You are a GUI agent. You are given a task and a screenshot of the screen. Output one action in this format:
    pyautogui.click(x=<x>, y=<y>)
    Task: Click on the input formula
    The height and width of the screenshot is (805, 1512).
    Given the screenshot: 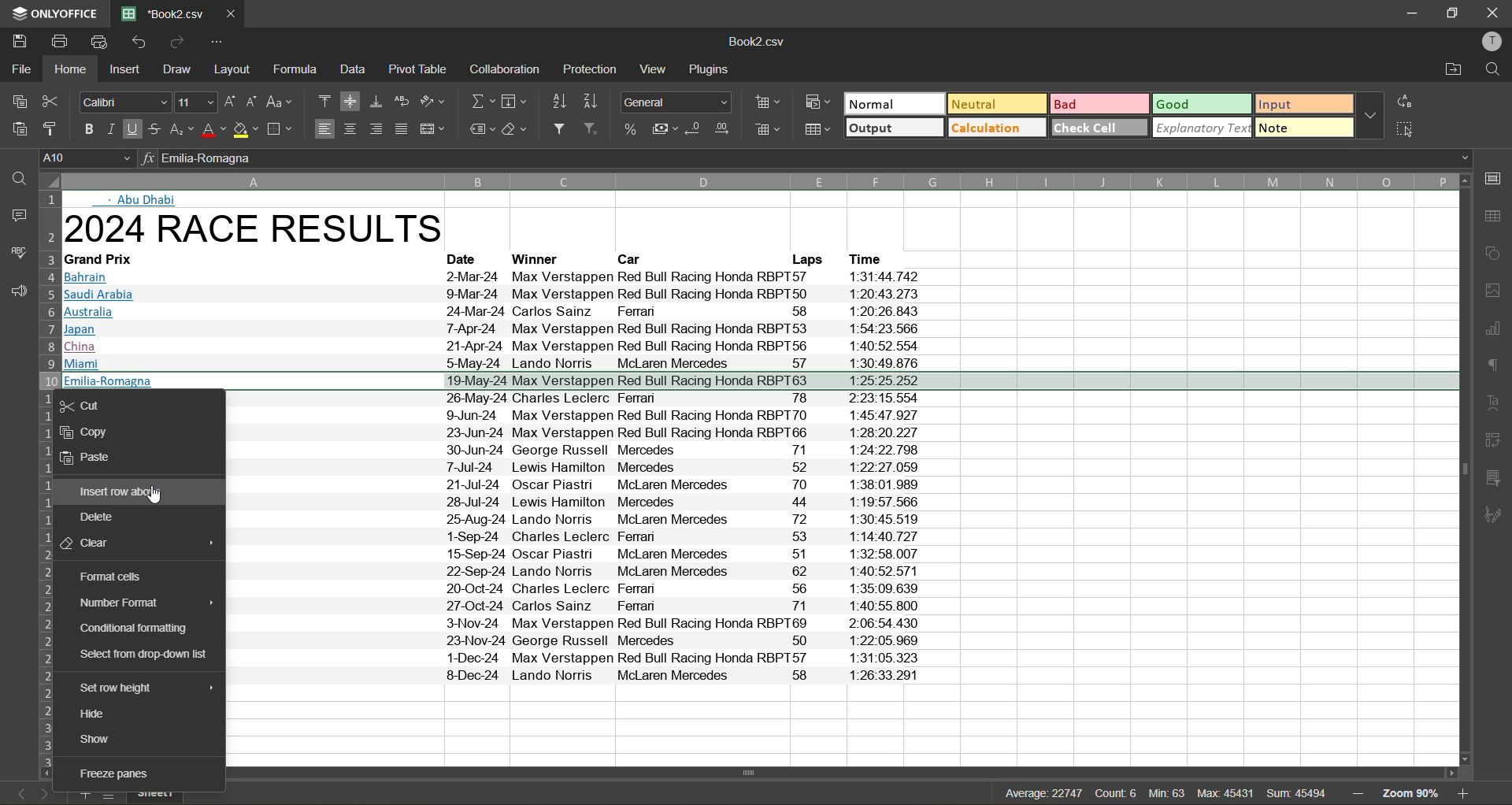 What is the action you would take?
    pyautogui.click(x=146, y=159)
    